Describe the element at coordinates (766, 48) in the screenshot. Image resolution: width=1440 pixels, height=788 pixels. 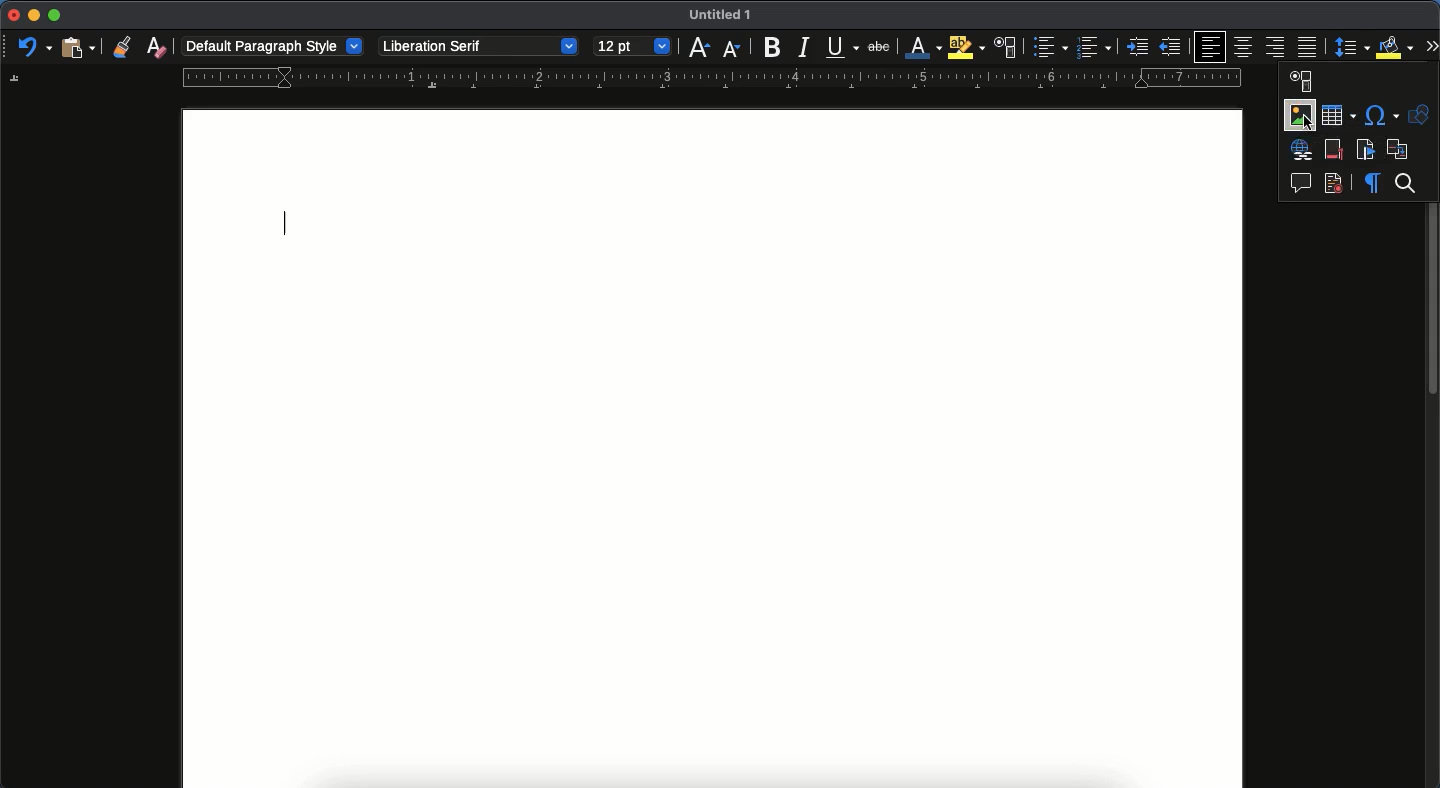
I see `bold` at that location.